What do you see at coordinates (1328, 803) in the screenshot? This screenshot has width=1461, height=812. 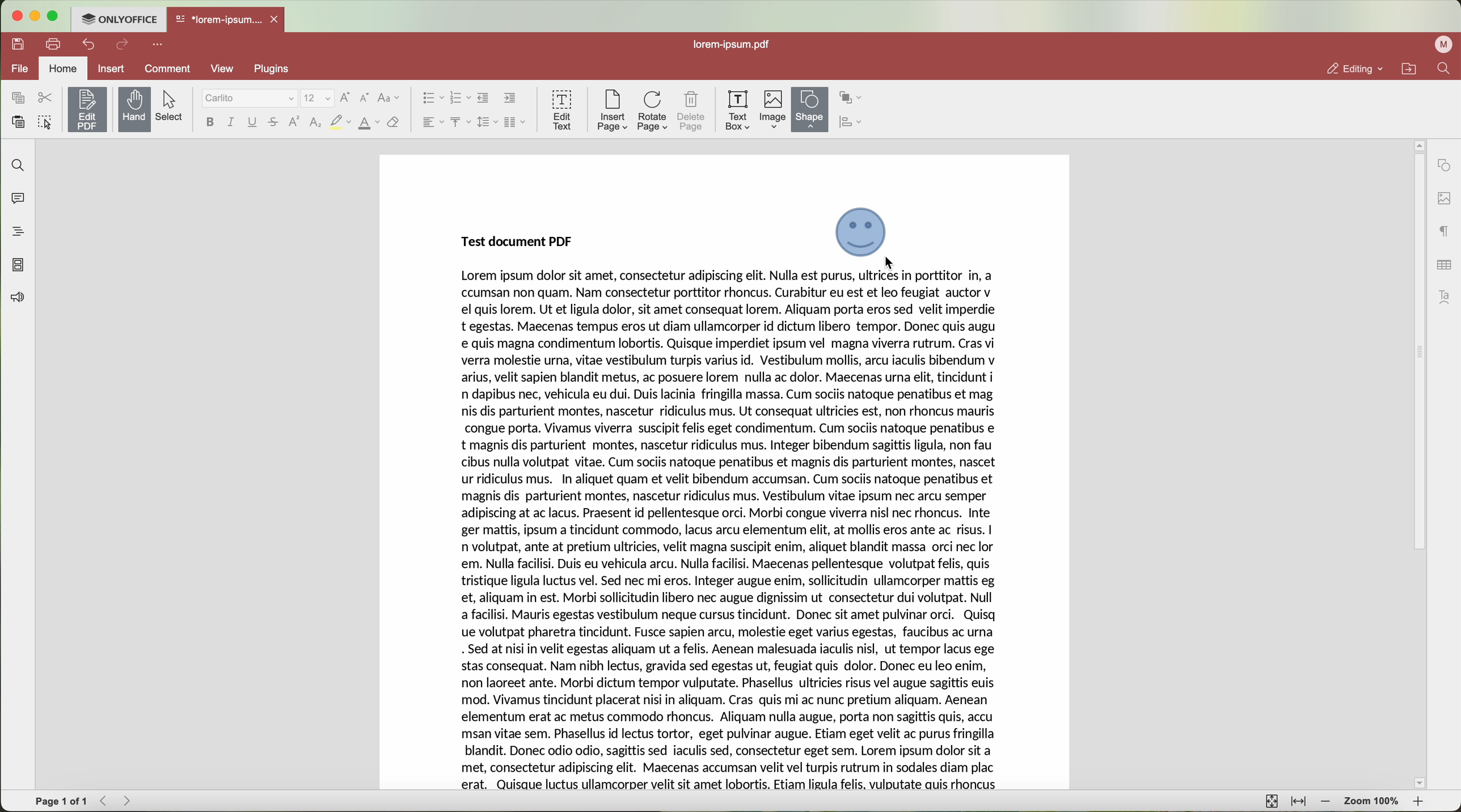 I see `zoom out` at bounding box center [1328, 803].